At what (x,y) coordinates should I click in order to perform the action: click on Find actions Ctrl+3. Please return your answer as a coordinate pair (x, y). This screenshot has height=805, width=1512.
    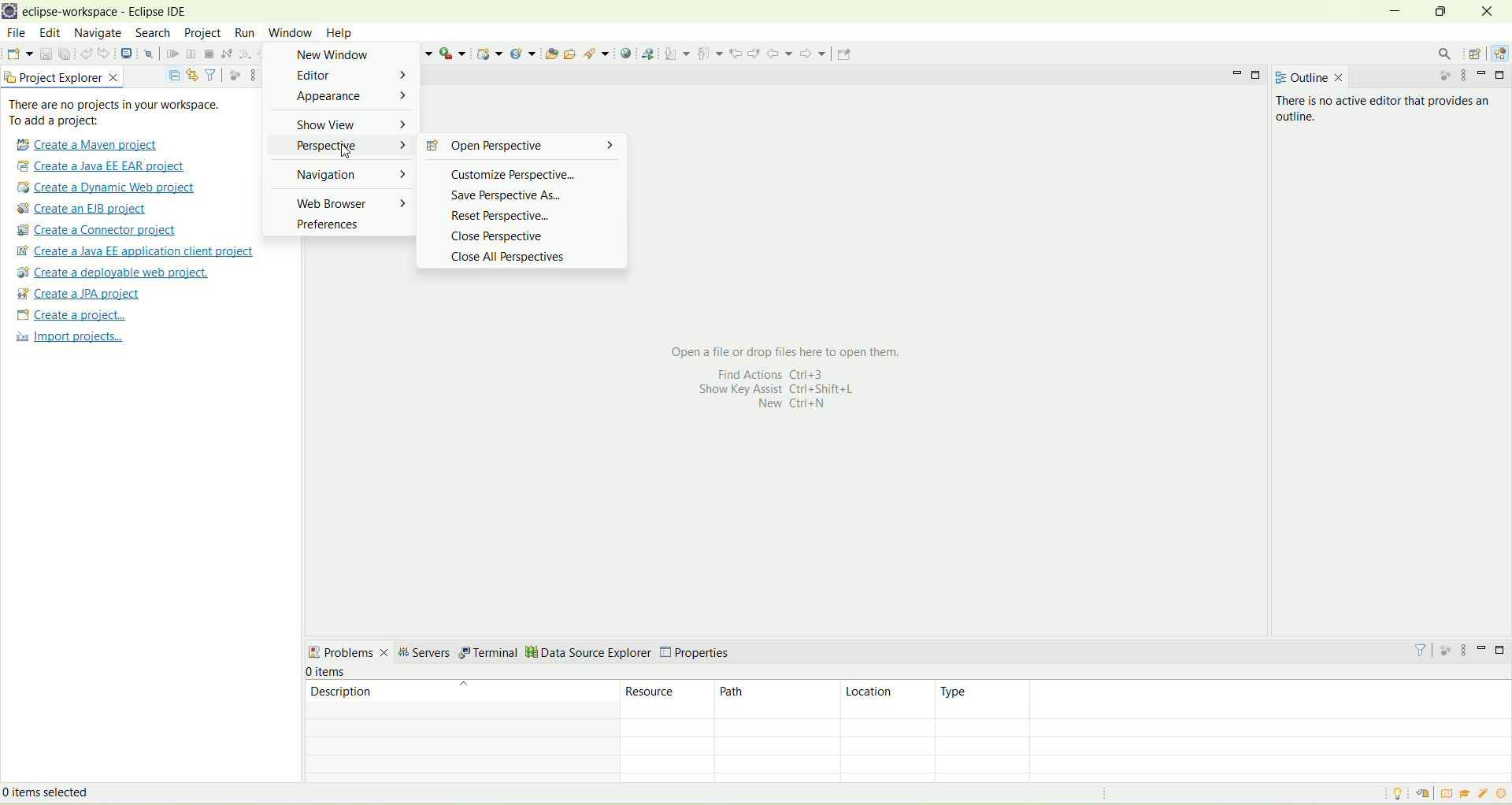
    Looking at the image, I should click on (763, 374).